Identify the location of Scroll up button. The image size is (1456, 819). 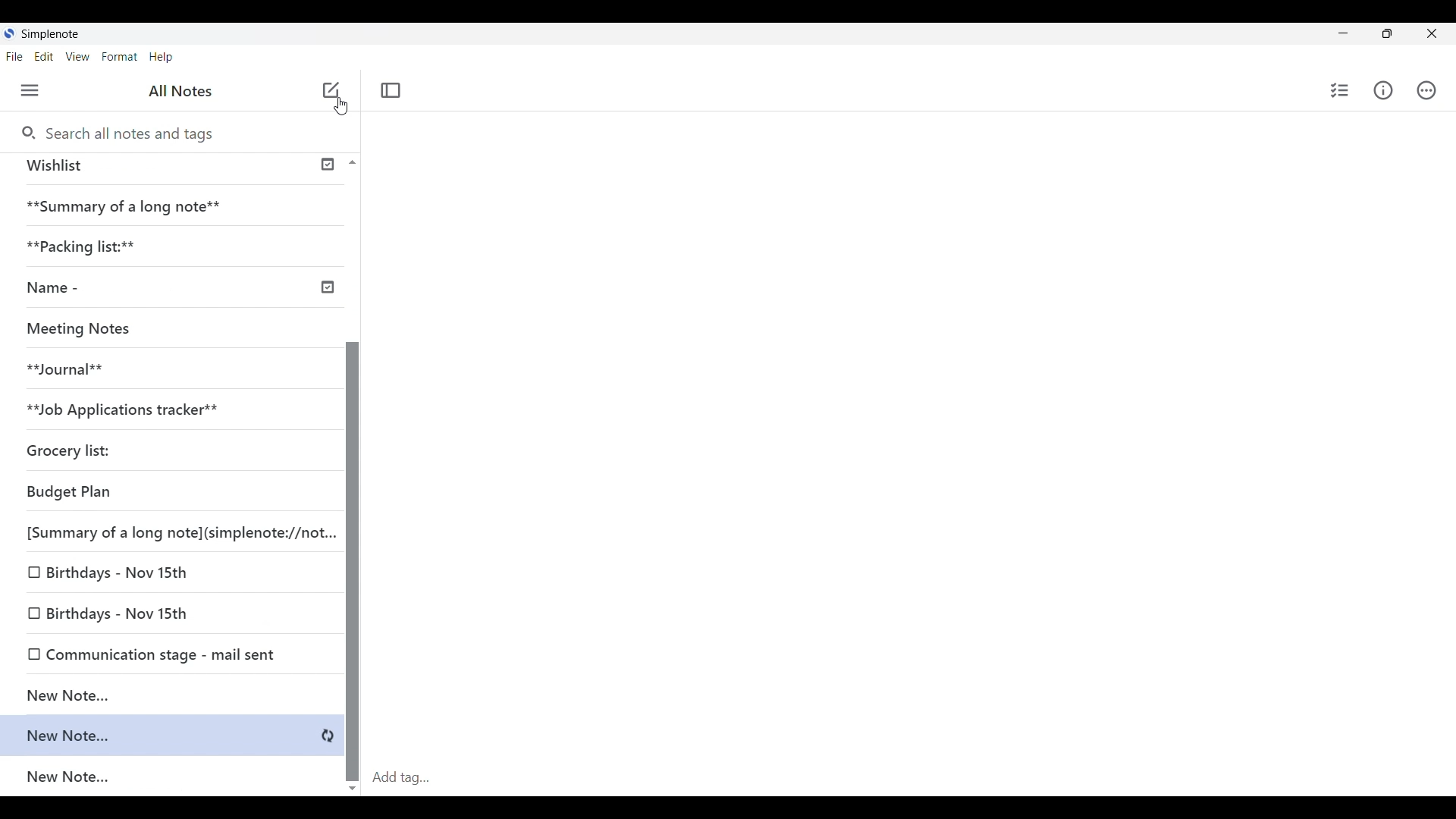
(346, 164).